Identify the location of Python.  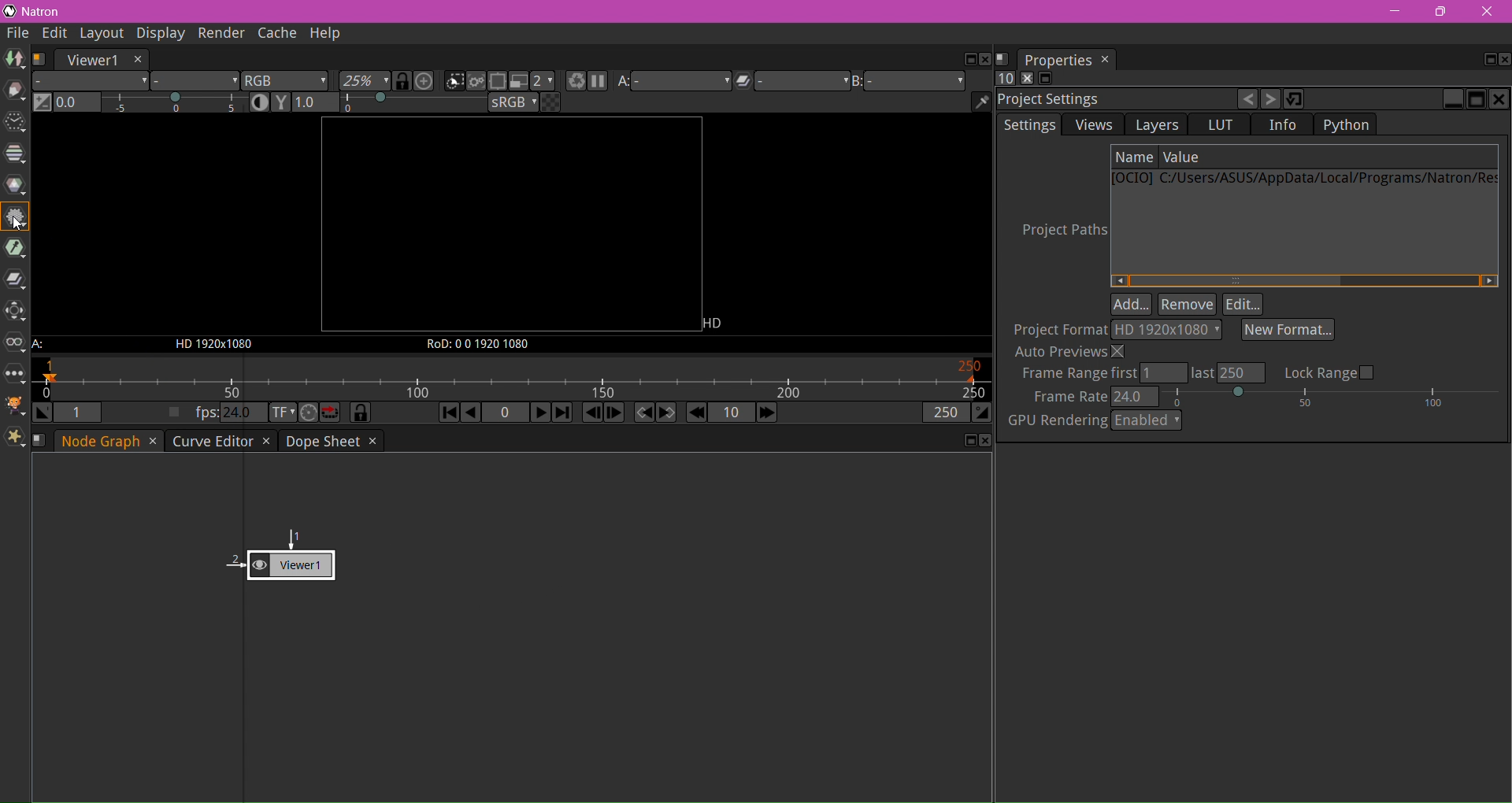
(1345, 124).